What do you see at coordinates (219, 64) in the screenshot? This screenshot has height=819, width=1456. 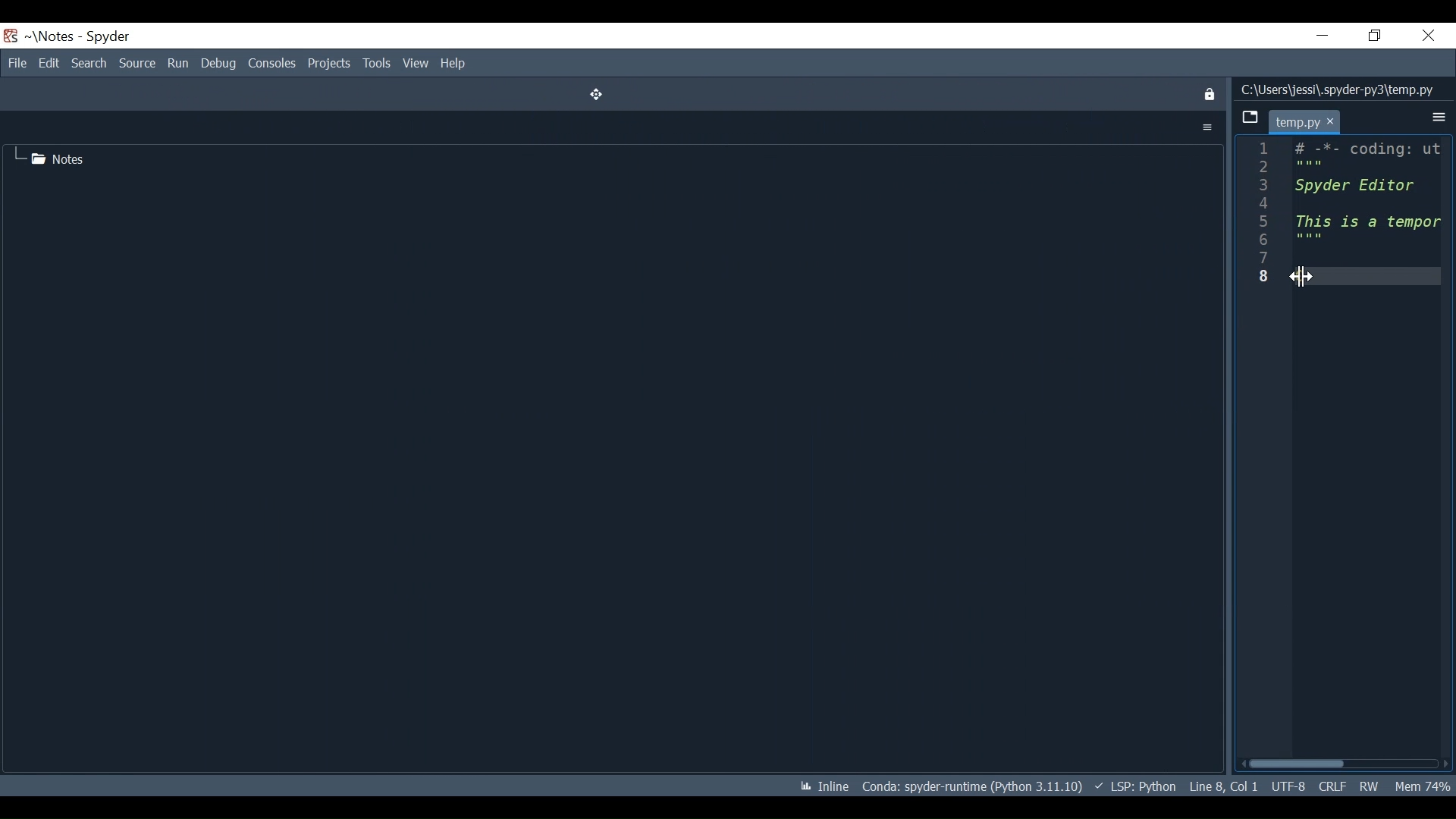 I see `Debug` at bounding box center [219, 64].